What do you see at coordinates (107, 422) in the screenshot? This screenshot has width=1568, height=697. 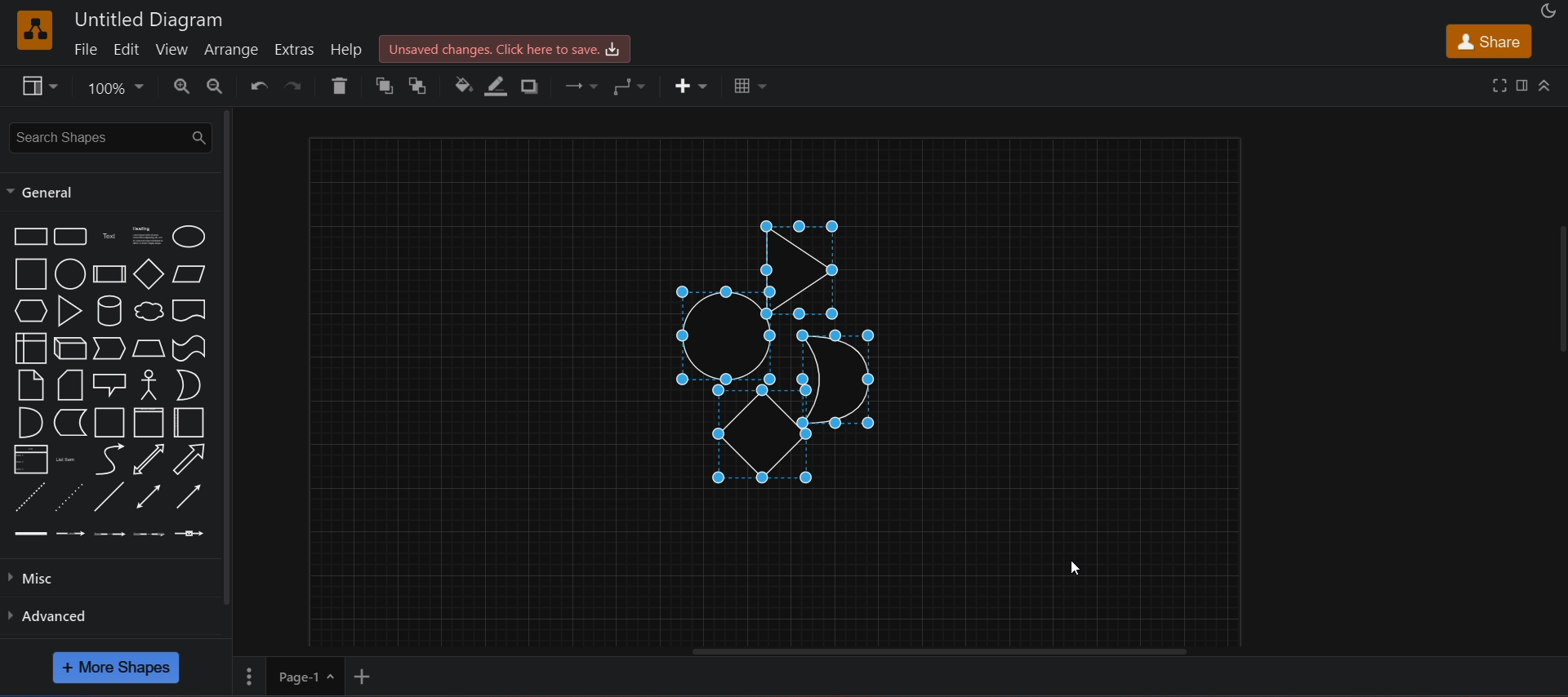 I see `container` at bounding box center [107, 422].